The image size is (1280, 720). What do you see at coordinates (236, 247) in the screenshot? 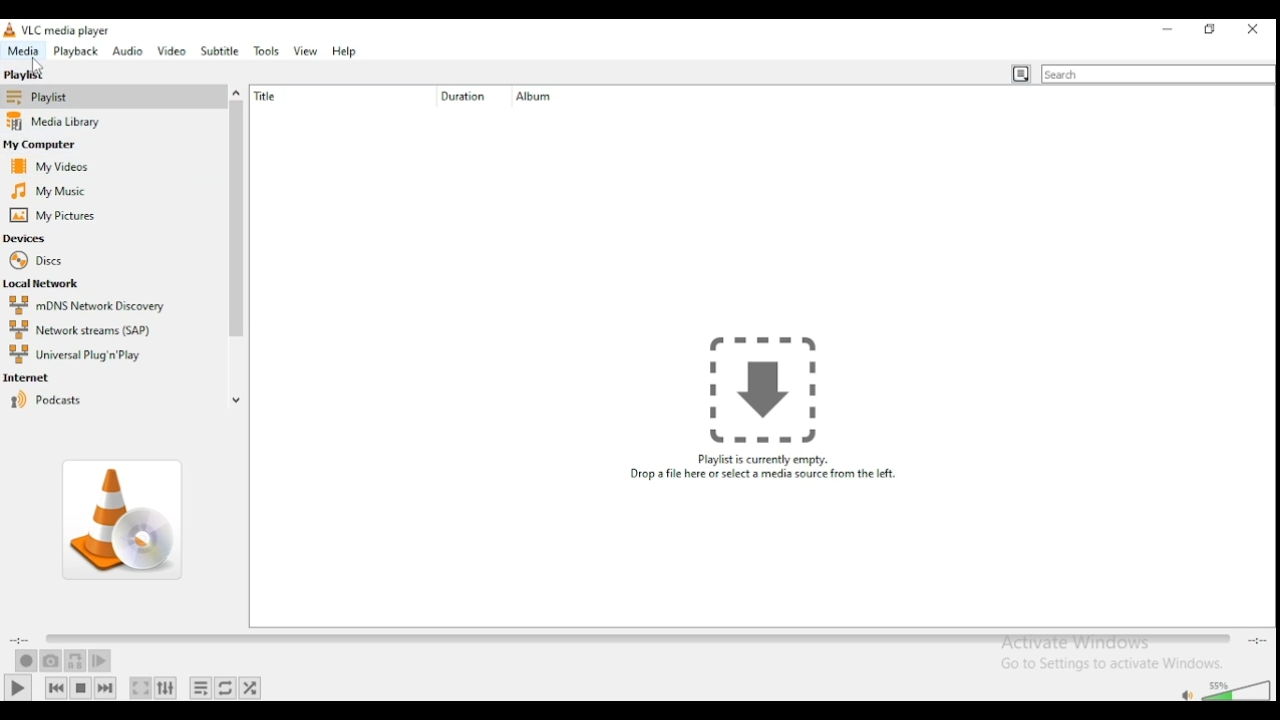
I see `scroll bar` at bounding box center [236, 247].